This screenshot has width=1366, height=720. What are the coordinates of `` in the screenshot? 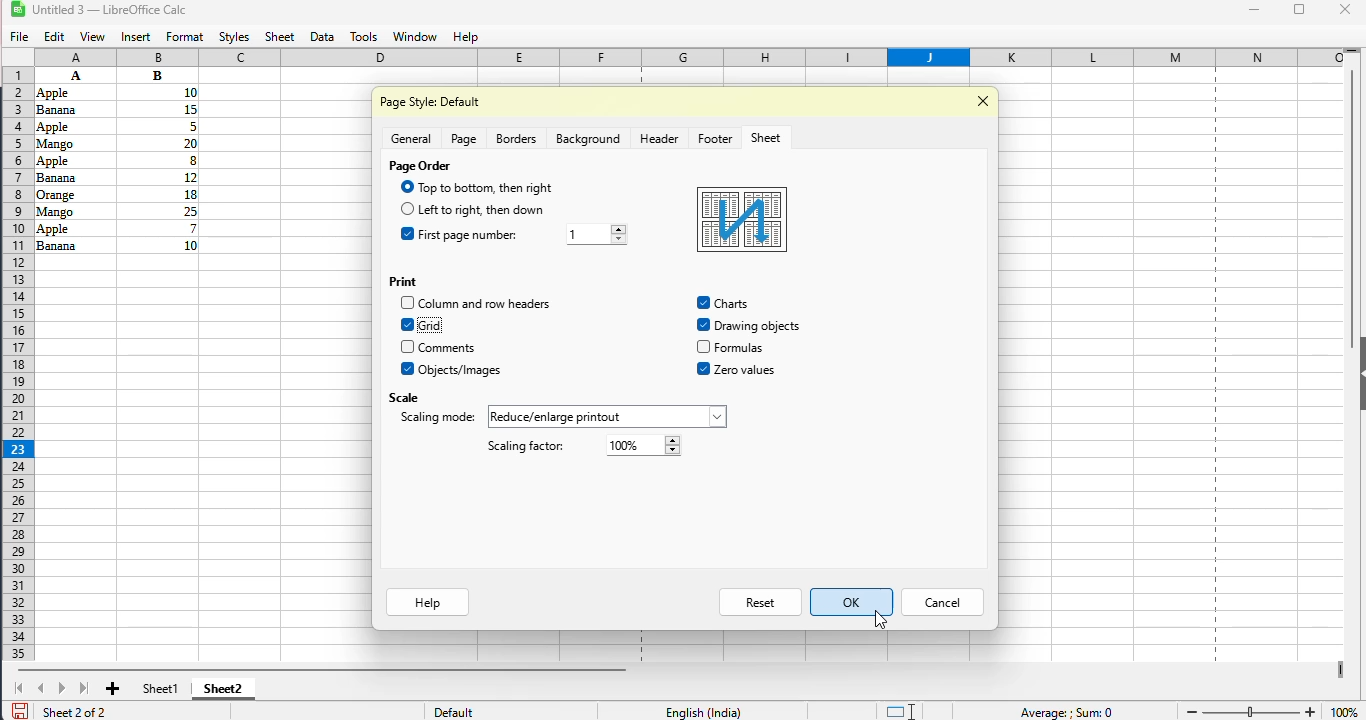 It's located at (160, 228).